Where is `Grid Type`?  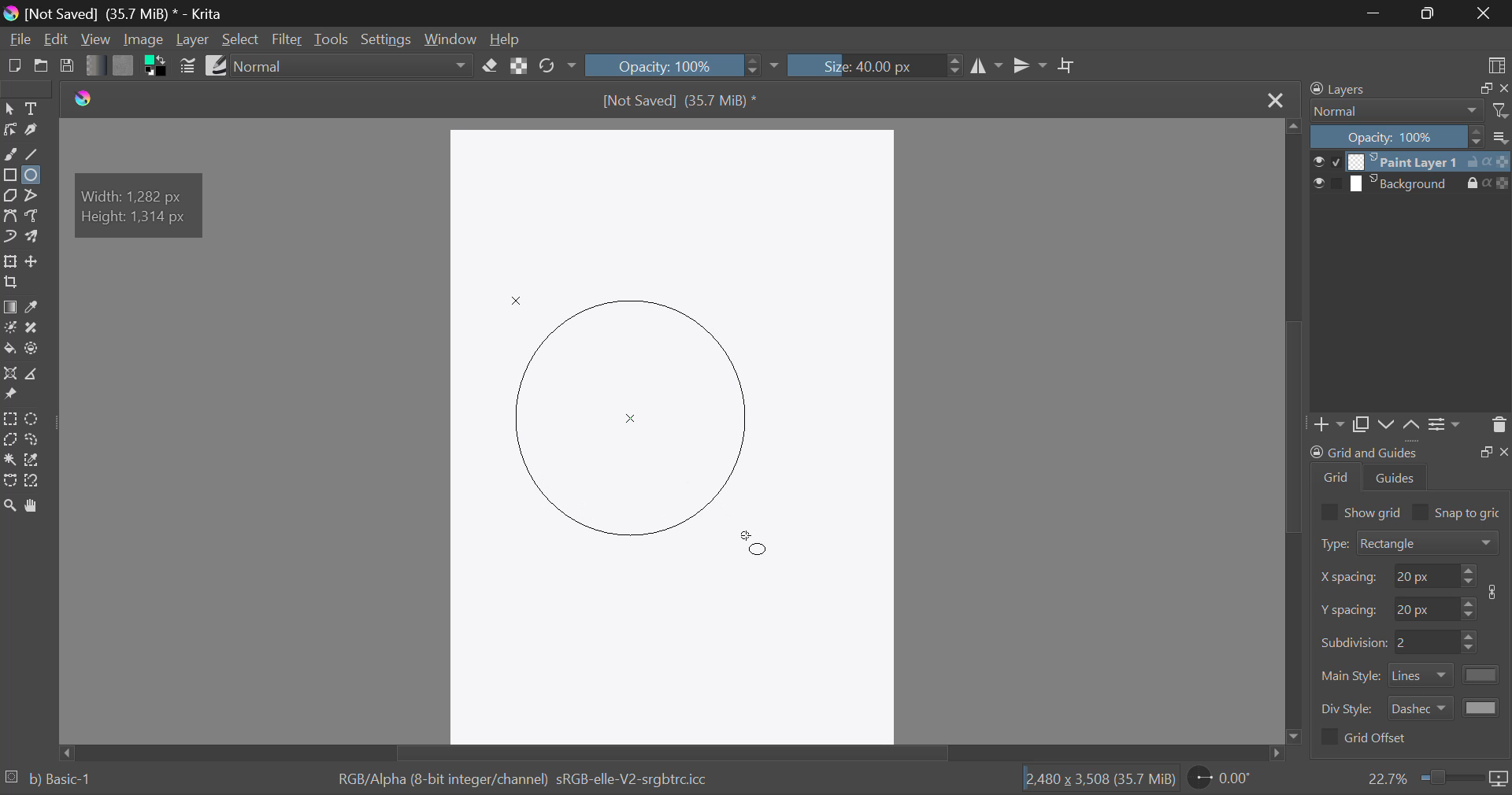
Grid Type is located at coordinates (1411, 545).